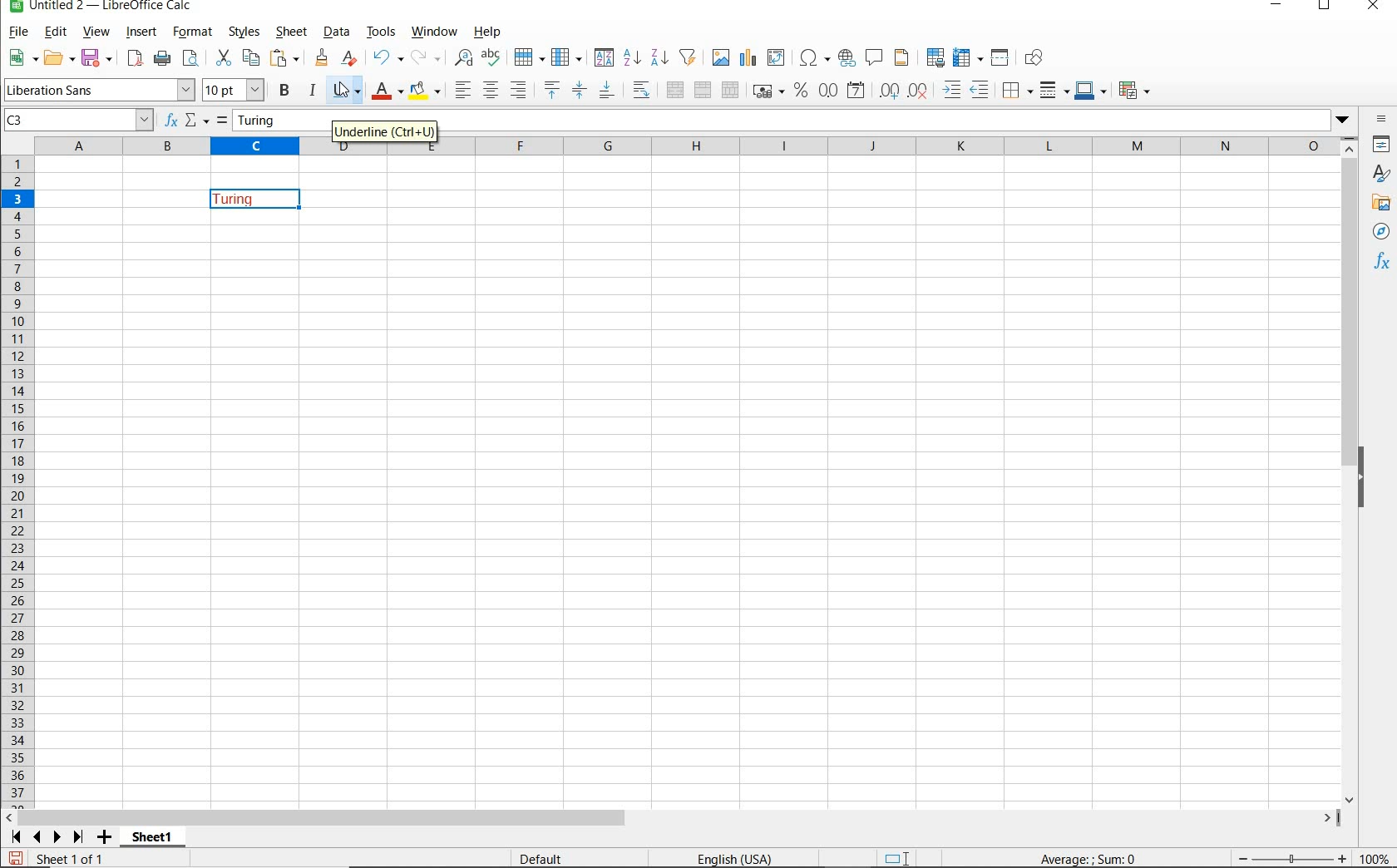  Describe the element at coordinates (423, 57) in the screenshot. I see `REDO` at that location.